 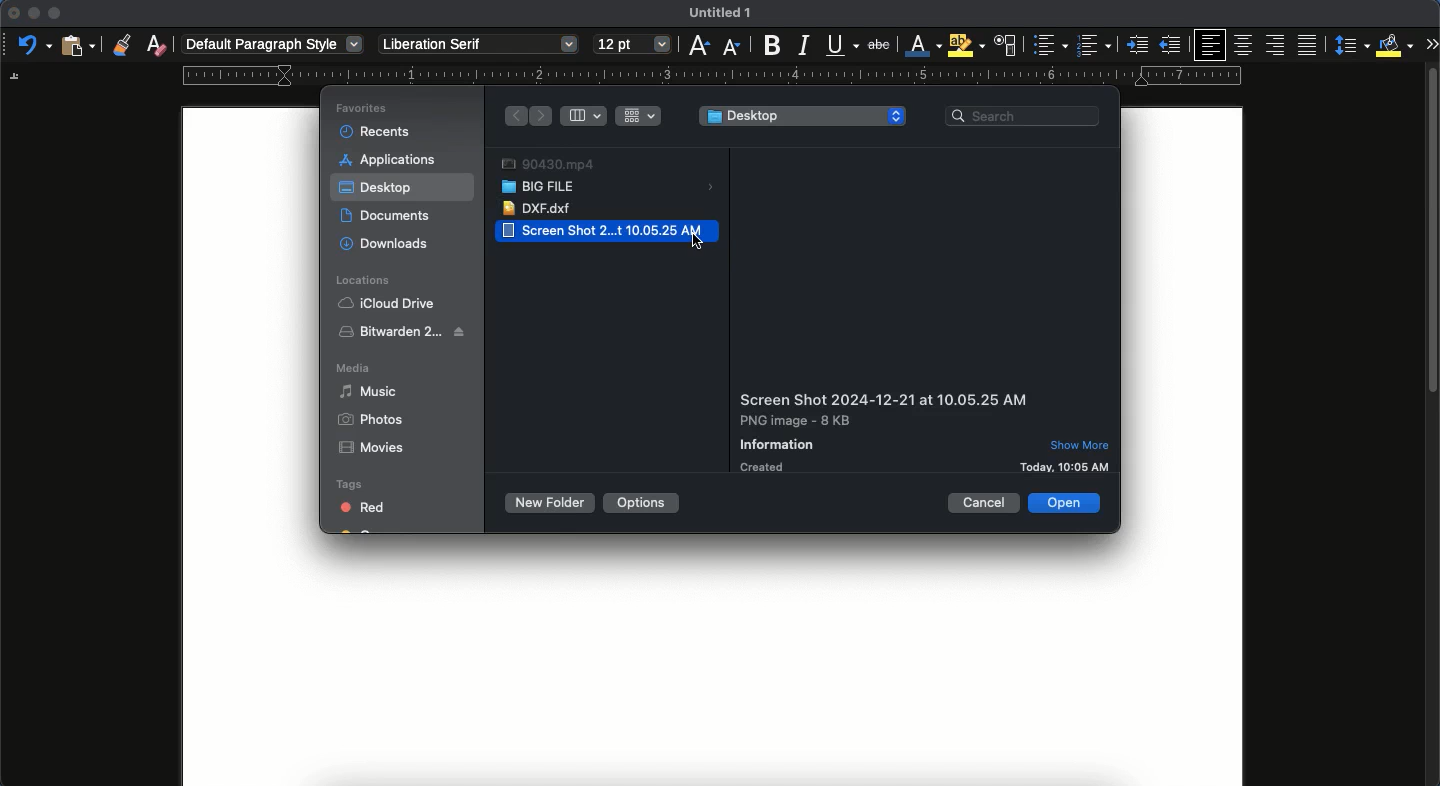 I want to click on unindented, so click(x=1172, y=45).